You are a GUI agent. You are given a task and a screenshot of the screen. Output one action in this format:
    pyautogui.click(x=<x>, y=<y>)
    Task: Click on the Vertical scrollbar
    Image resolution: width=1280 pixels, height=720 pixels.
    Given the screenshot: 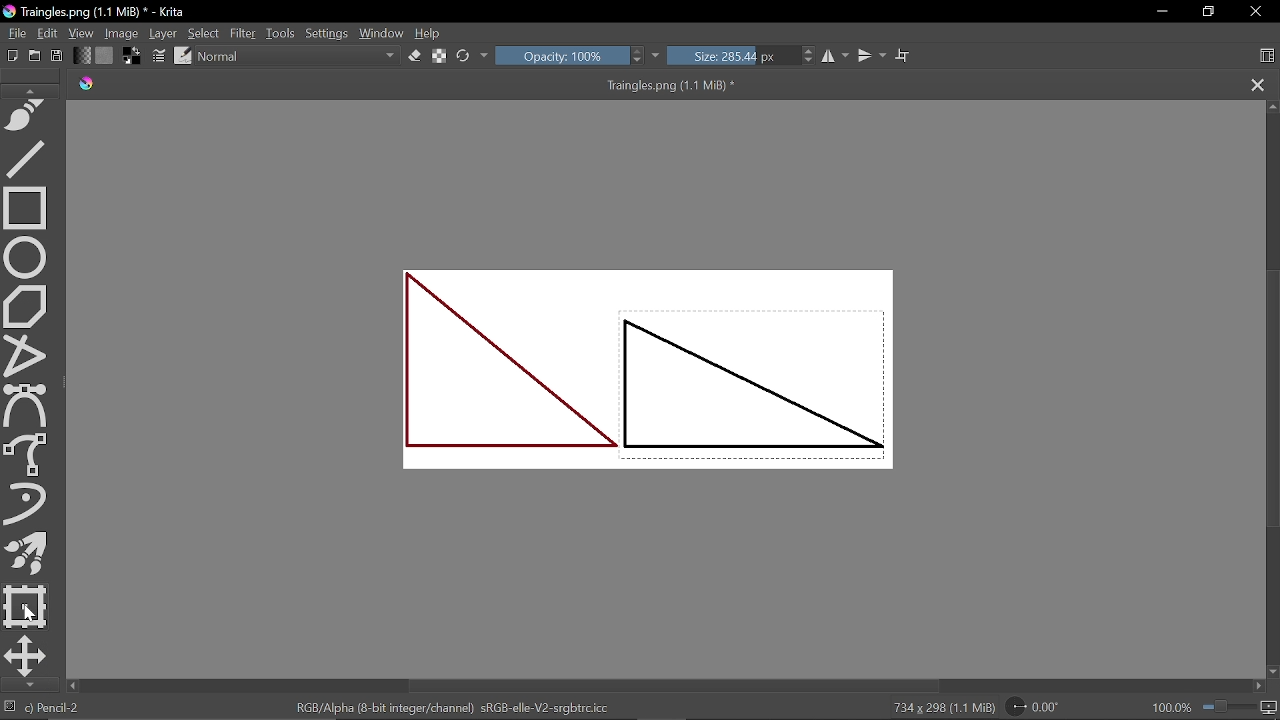 What is the action you would take?
    pyautogui.click(x=1271, y=396)
    